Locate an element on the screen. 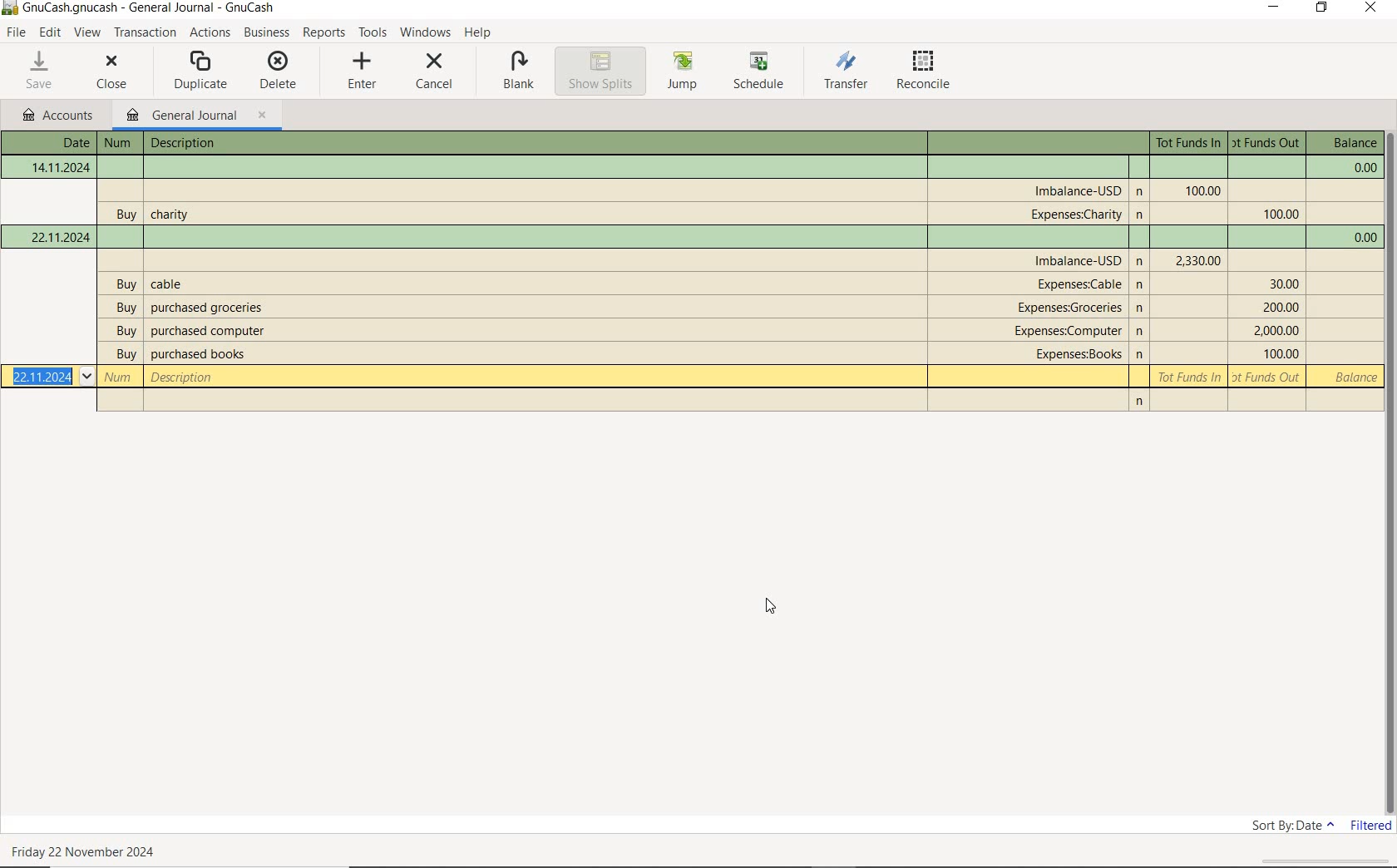  BUSINESS is located at coordinates (267, 33).